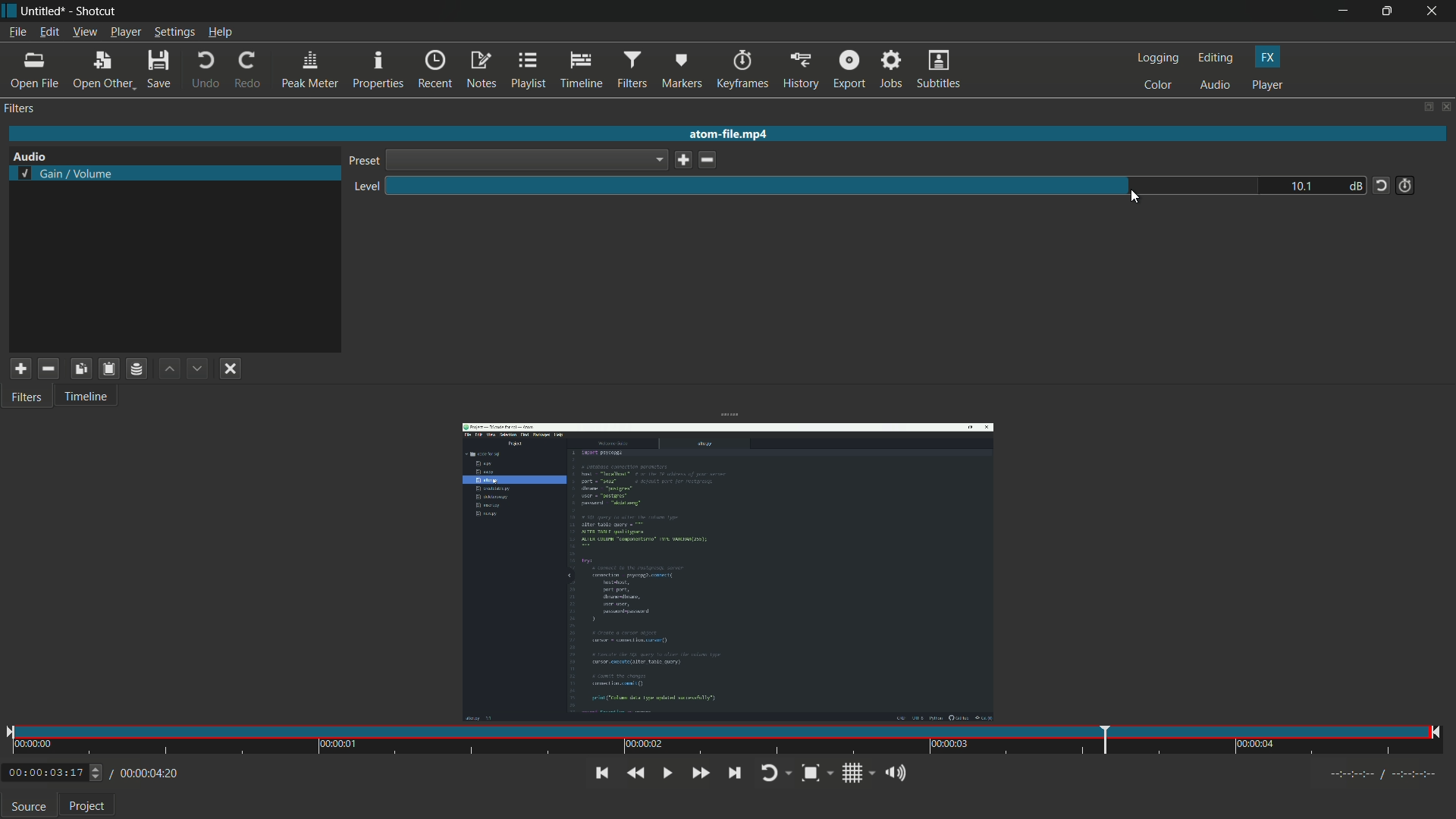 This screenshot has height=819, width=1456. What do you see at coordinates (146, 771) in the screenshot?
I see `/00:00:04:20(total time)` at bounding box center [146, 771].